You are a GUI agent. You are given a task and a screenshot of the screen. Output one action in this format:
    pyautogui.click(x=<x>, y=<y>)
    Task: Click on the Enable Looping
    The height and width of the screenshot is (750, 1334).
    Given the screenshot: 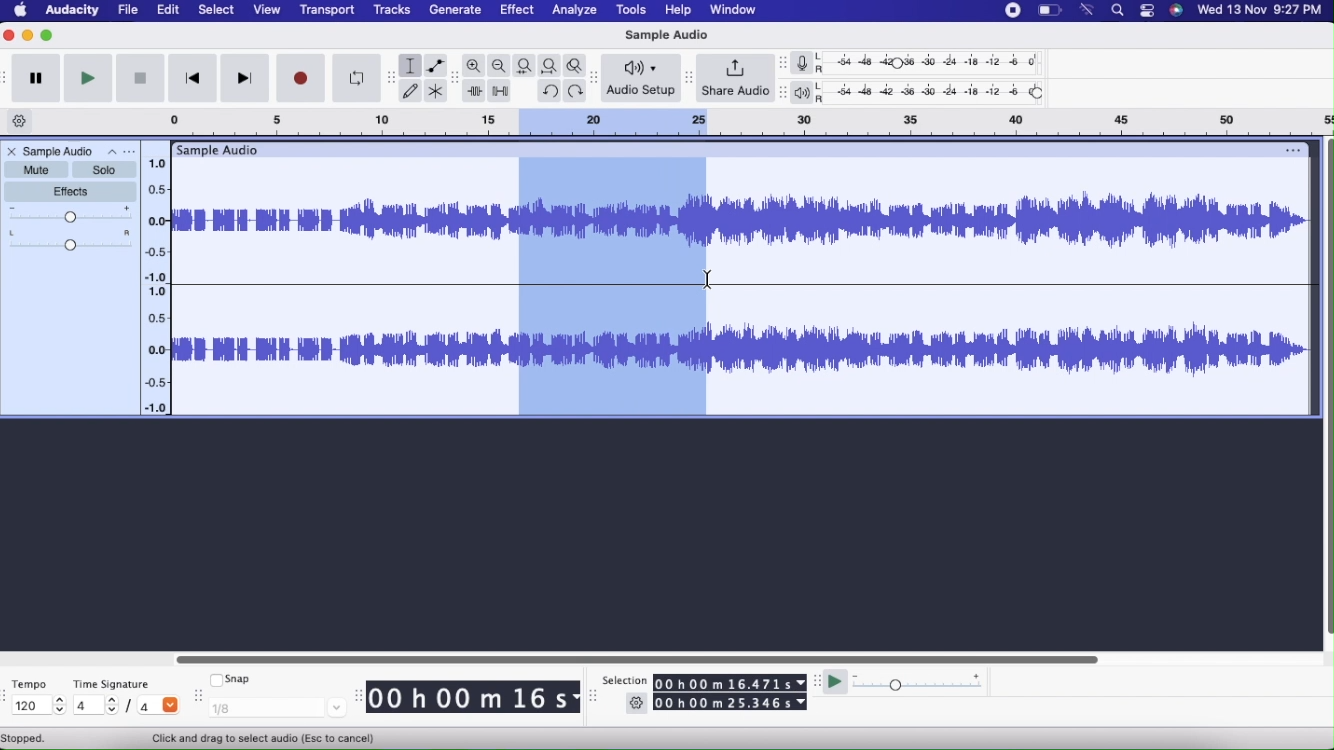 What is the action you would take?
    pyautogui.click(x=356, y=79)
    